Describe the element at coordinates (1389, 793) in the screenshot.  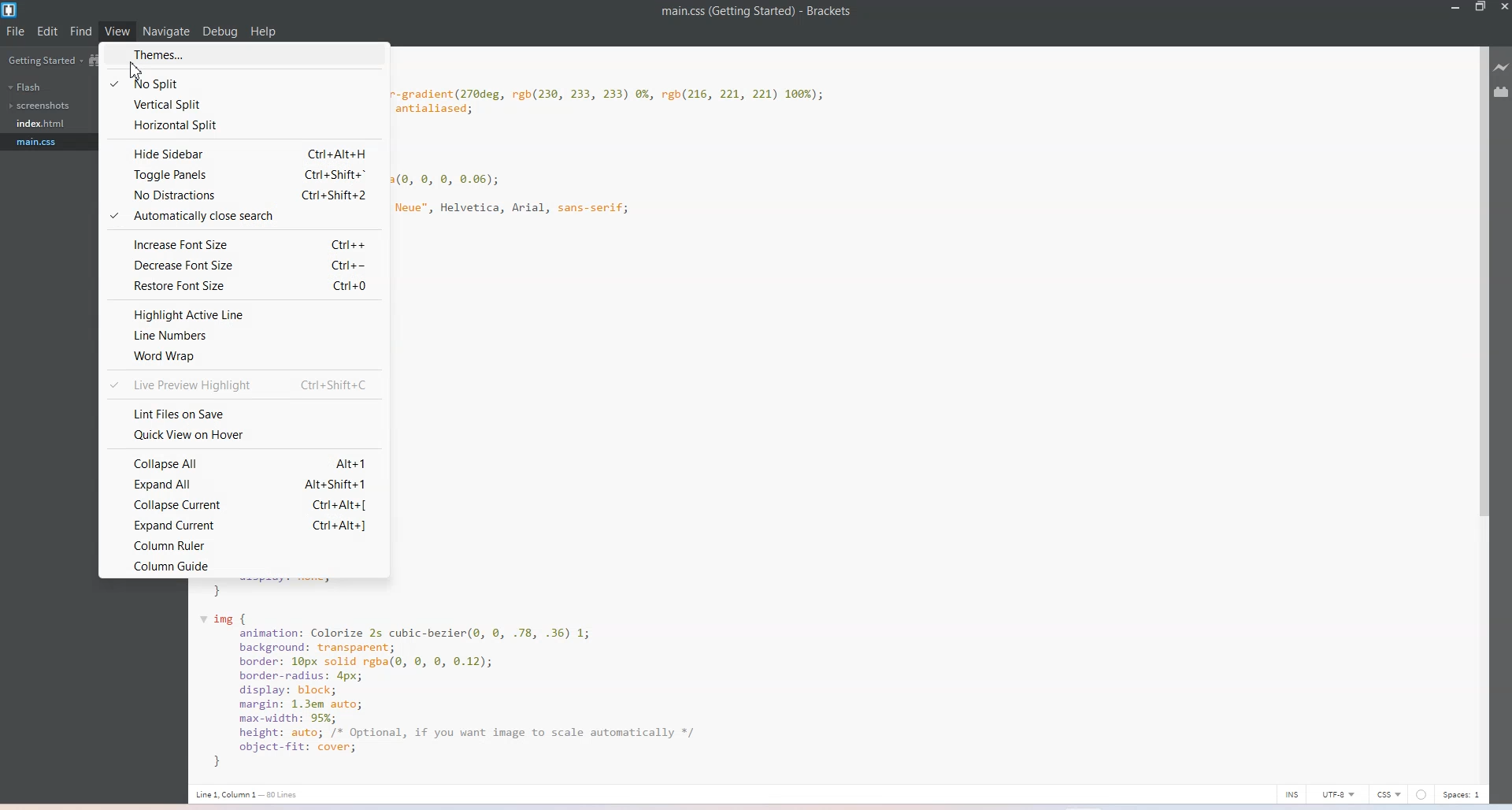
I see `CSS` at that location.